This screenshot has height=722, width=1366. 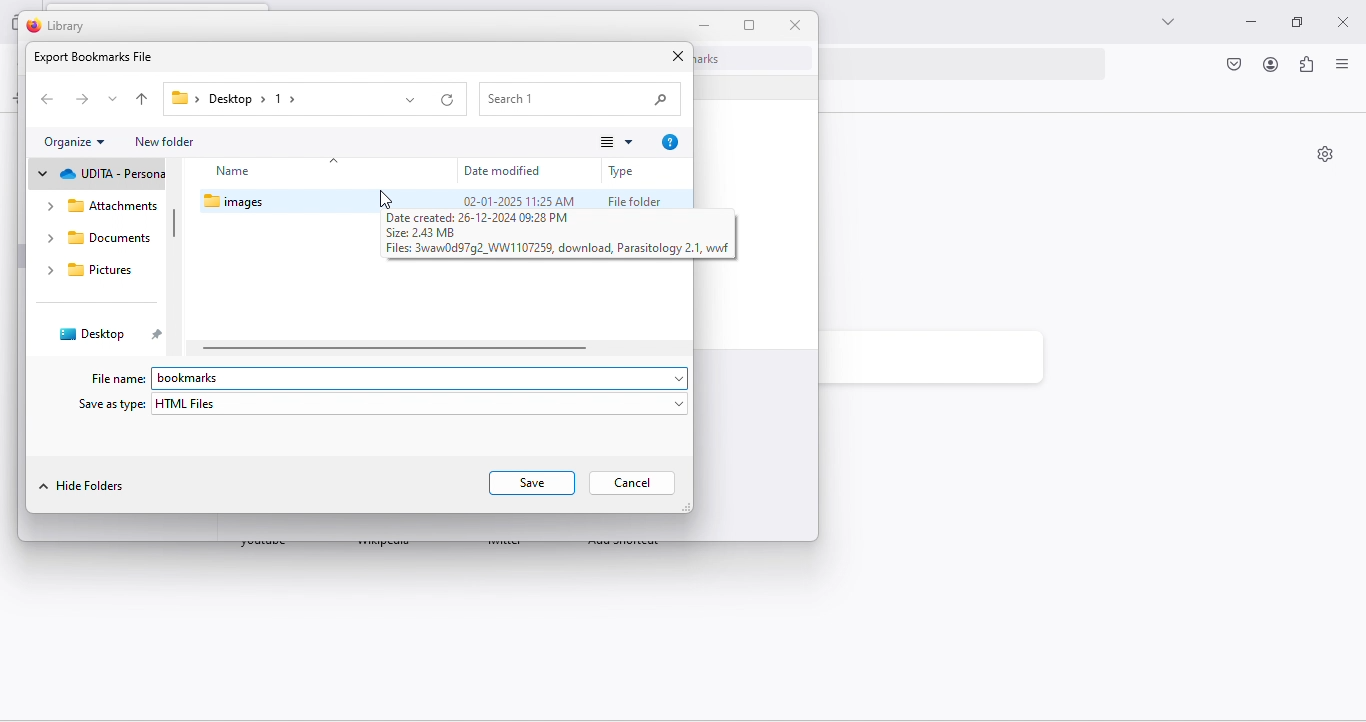 I want to click on pictures, so click(x=87, y=270).